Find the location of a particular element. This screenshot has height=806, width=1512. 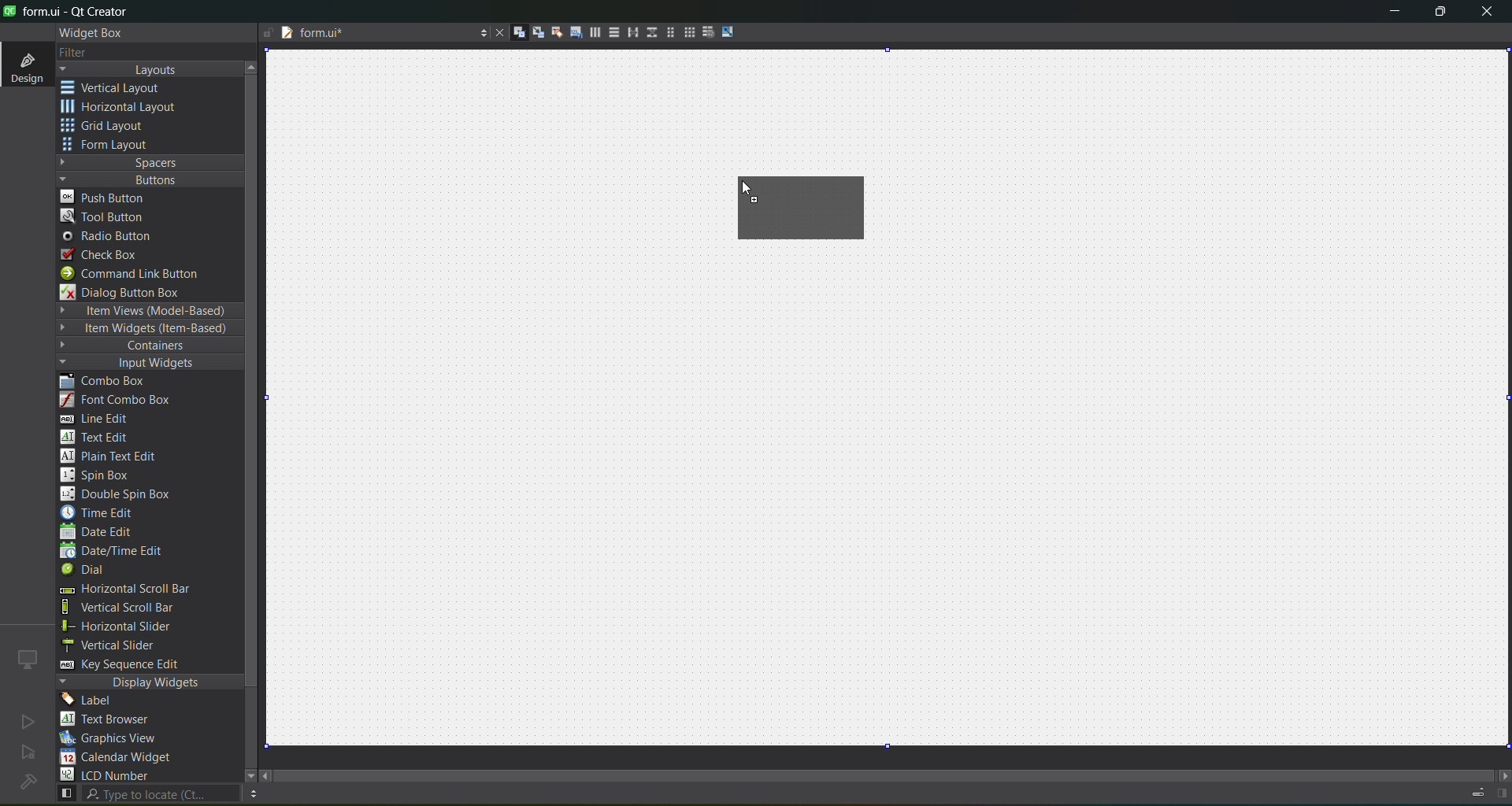

move down is located at coordinates (243, 774).